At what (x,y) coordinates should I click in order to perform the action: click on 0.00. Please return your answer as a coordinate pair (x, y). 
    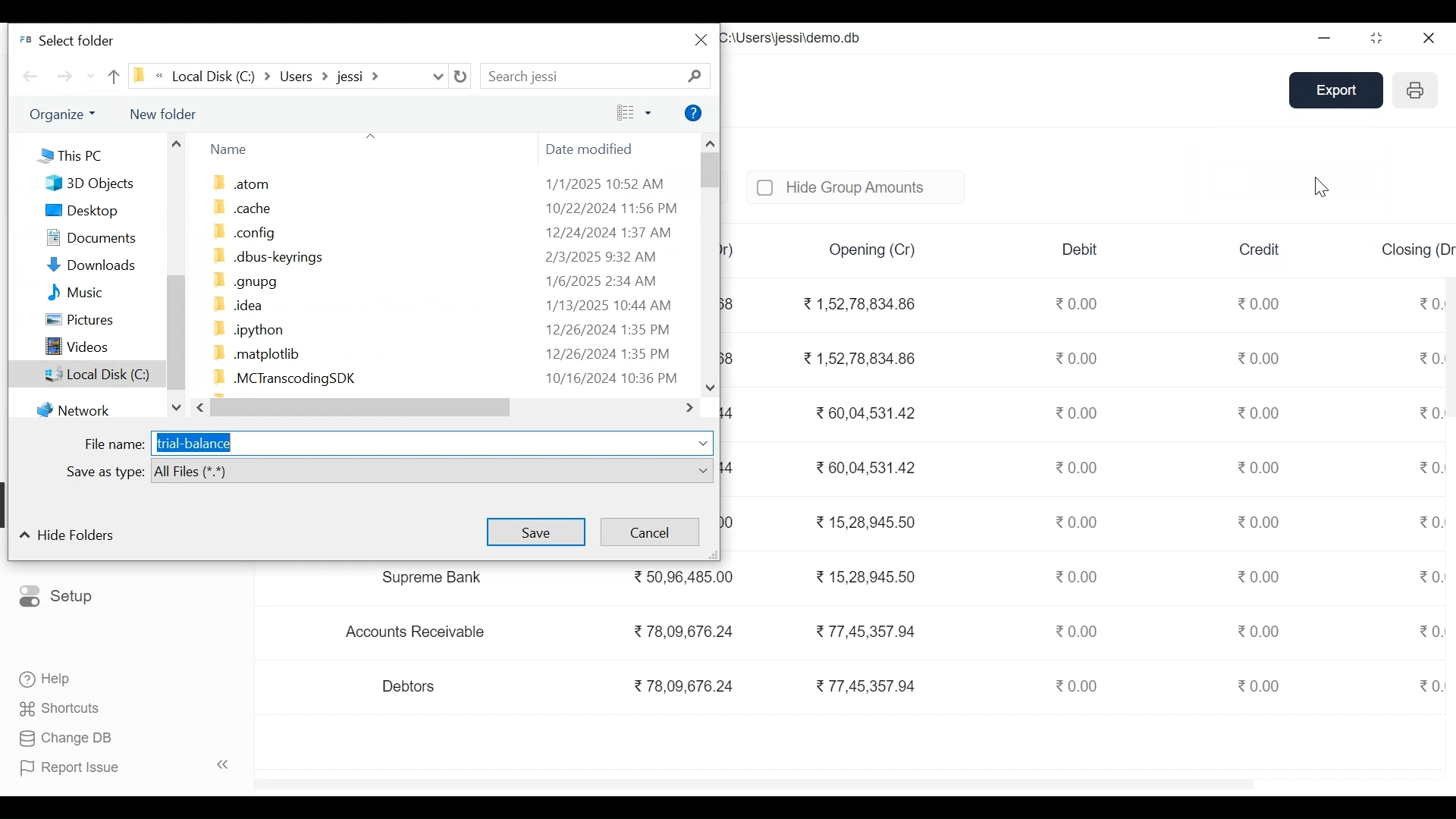
    Looking at the image, I should click on (1261, 413).